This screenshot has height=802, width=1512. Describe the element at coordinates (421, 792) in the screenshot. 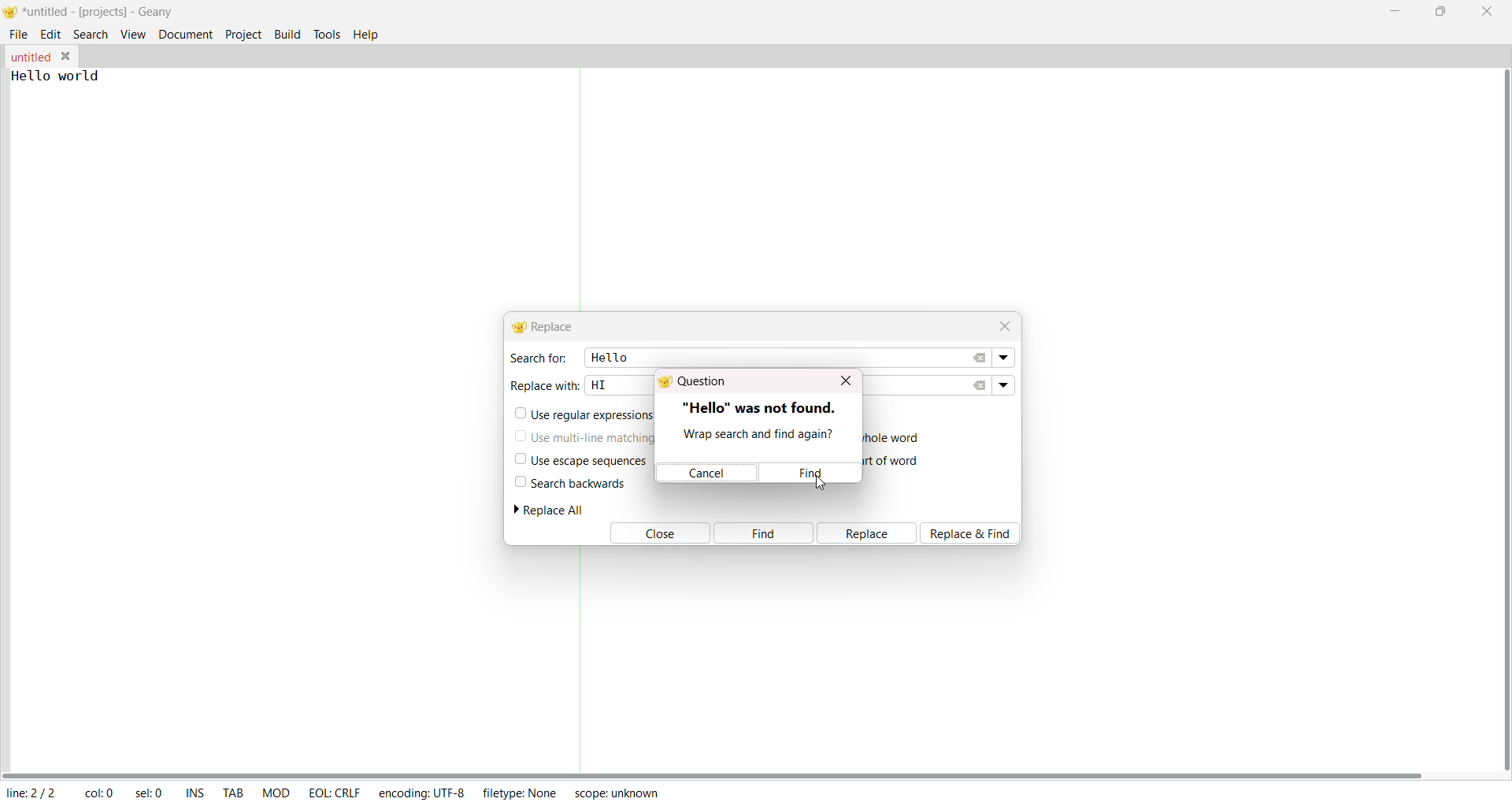

I see `encoding: UTF-8` at that location.